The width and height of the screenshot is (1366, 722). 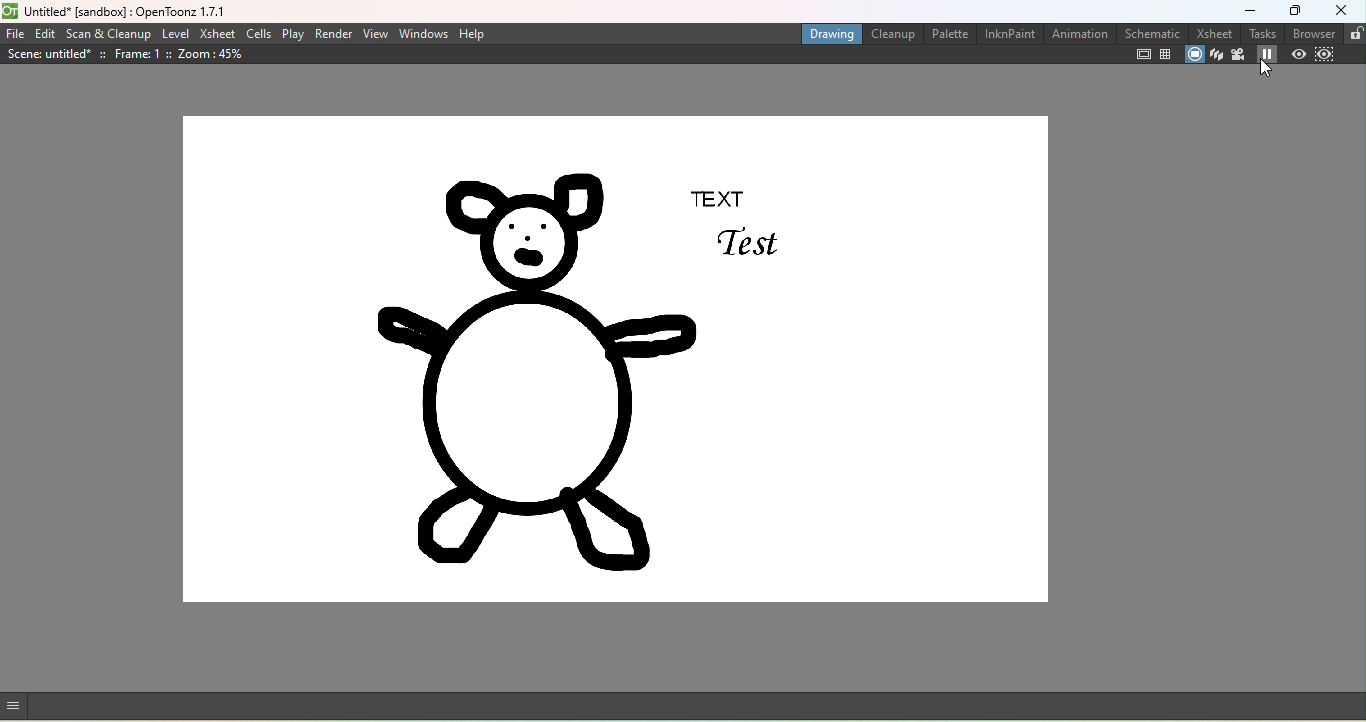 What do you see at coordinates (1297, 10) in the screenshot?
I see `Maximize` at bounding box center [1297, 10].